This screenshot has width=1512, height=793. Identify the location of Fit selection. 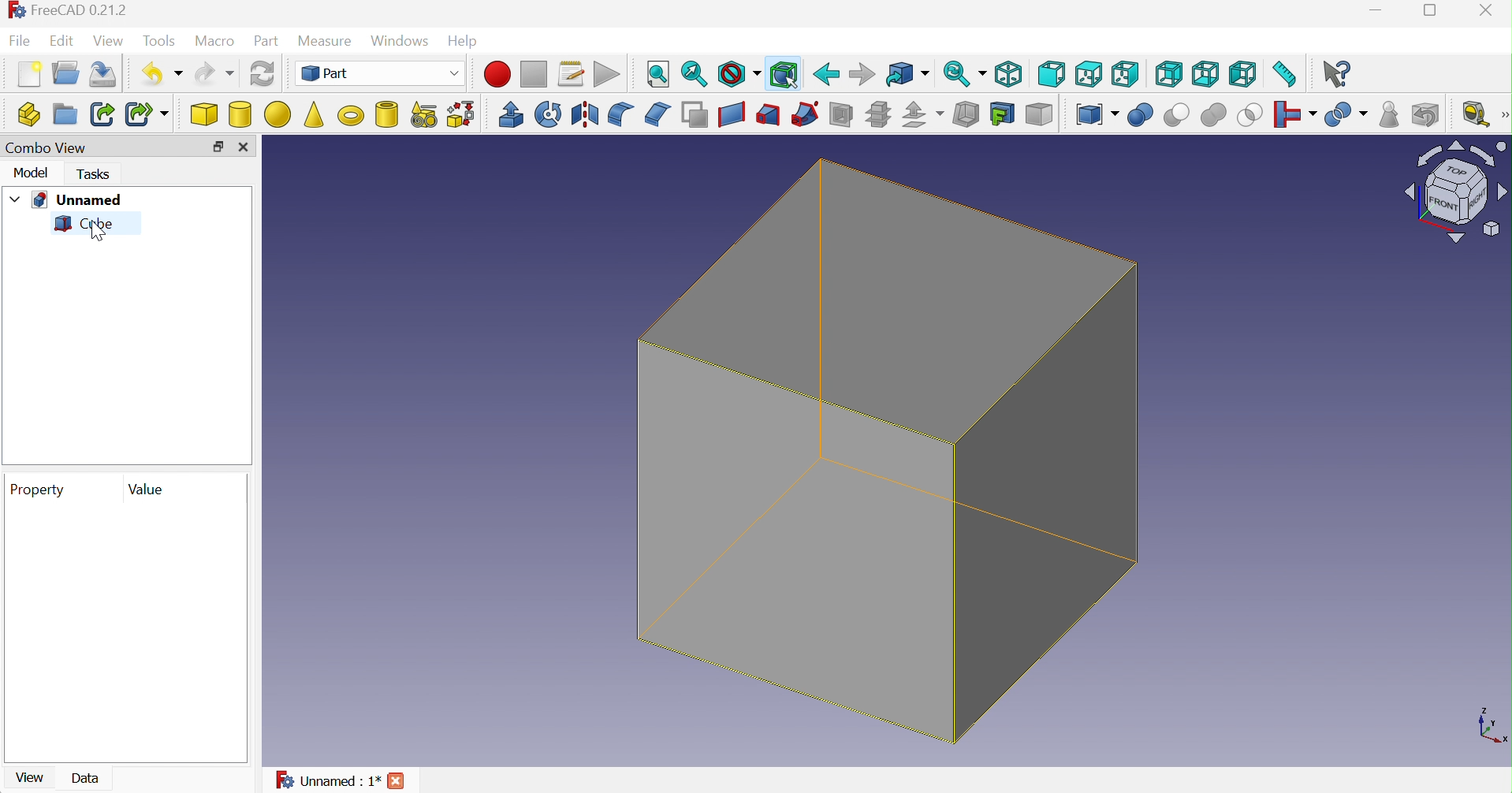
(695, 74).